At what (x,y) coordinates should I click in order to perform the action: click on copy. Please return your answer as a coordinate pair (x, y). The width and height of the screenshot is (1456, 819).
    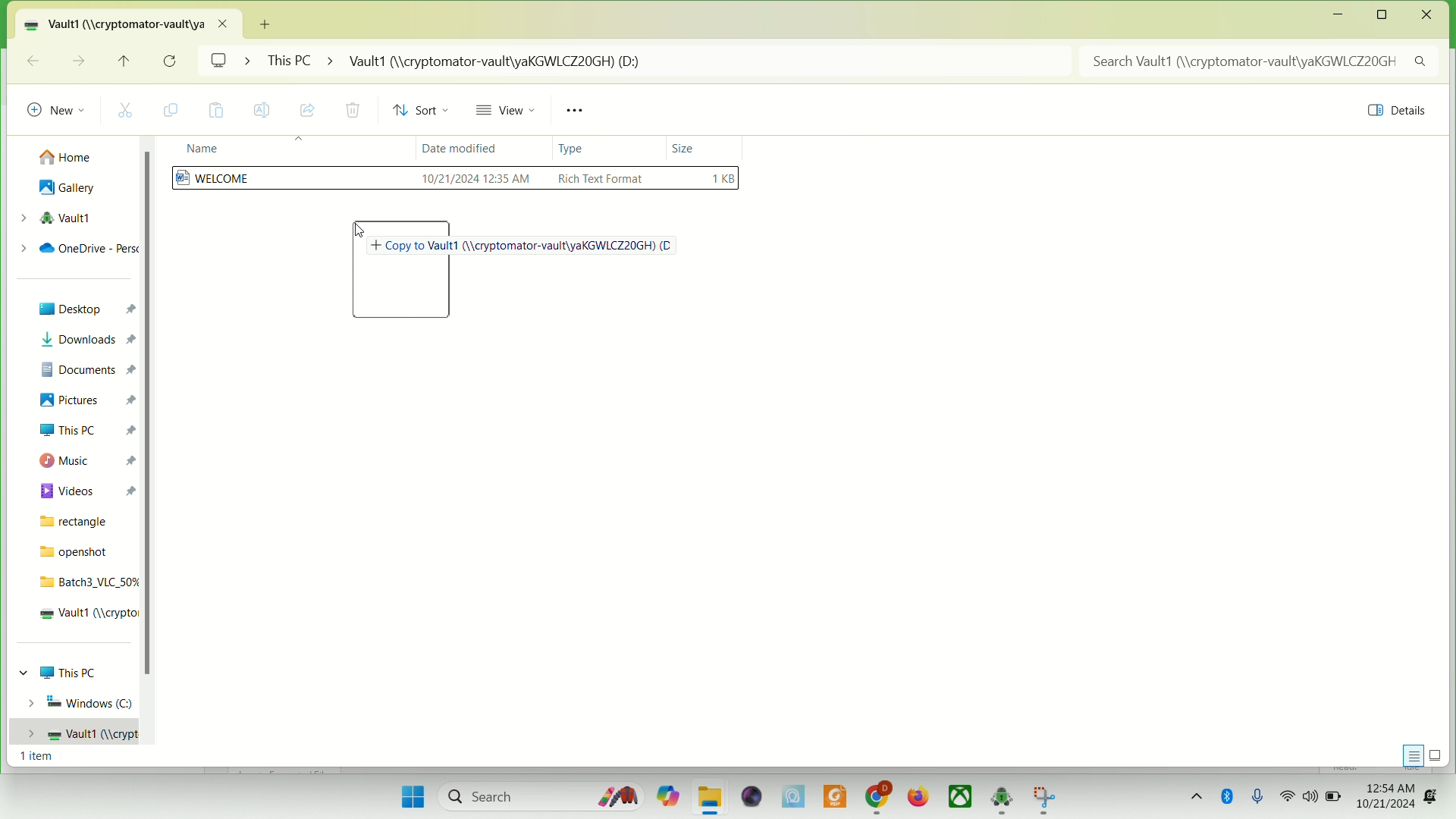
    Looking at the image, I should click on (176, 111).